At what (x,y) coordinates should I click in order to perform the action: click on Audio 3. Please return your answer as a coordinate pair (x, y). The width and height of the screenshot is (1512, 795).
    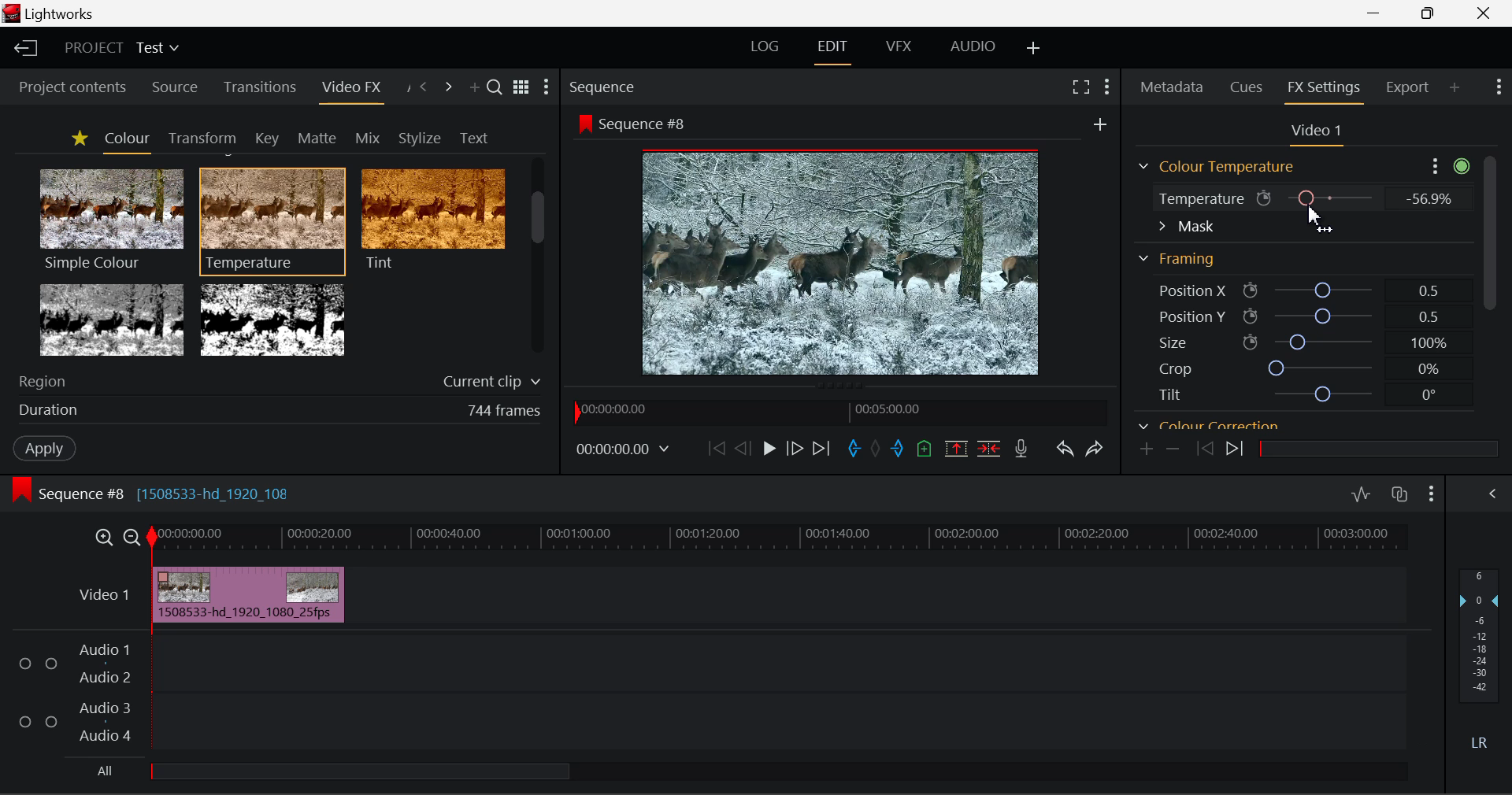
    Looking at the image, I should click on (102, 708).